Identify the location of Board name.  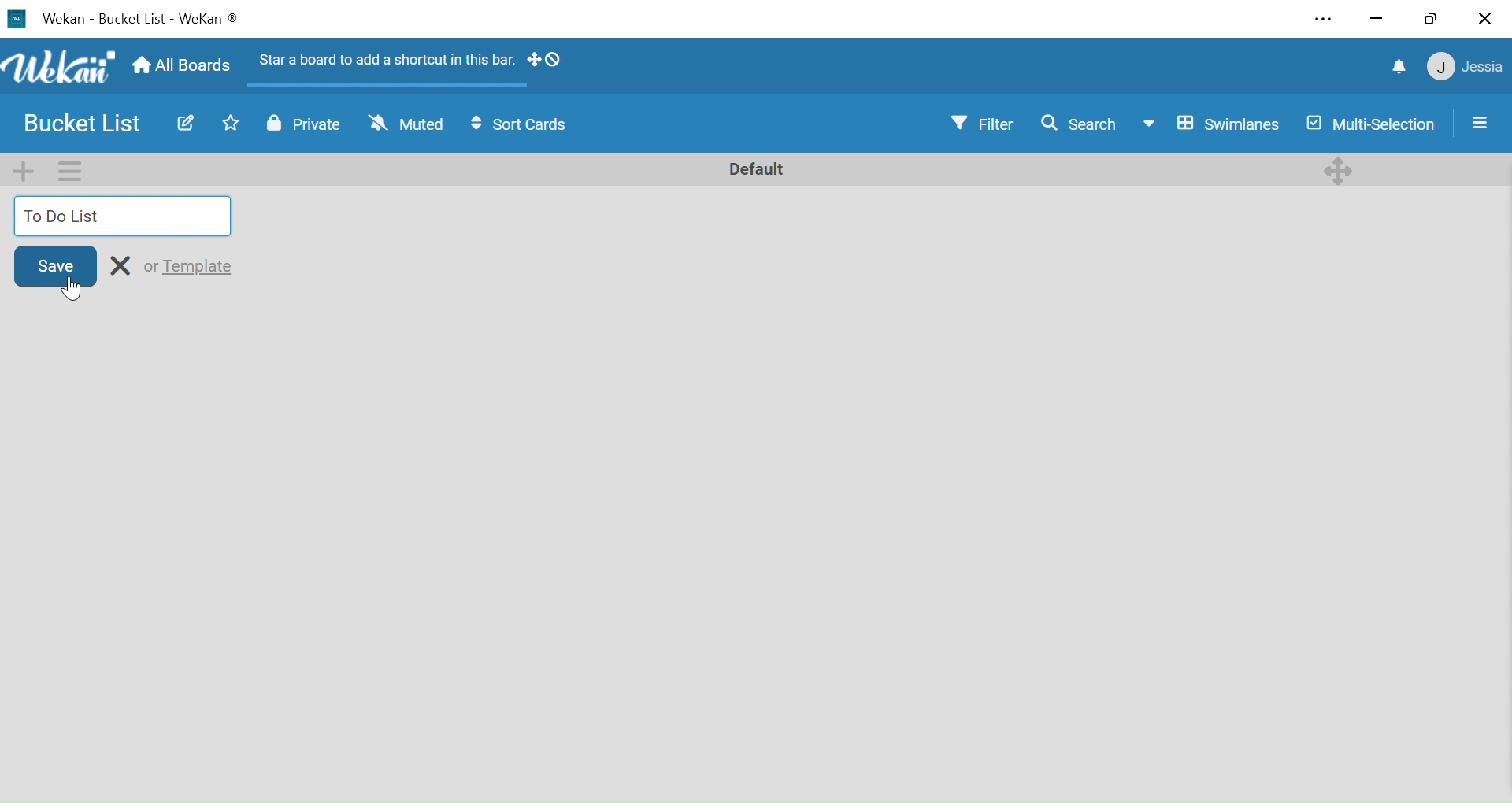
(87, 124).